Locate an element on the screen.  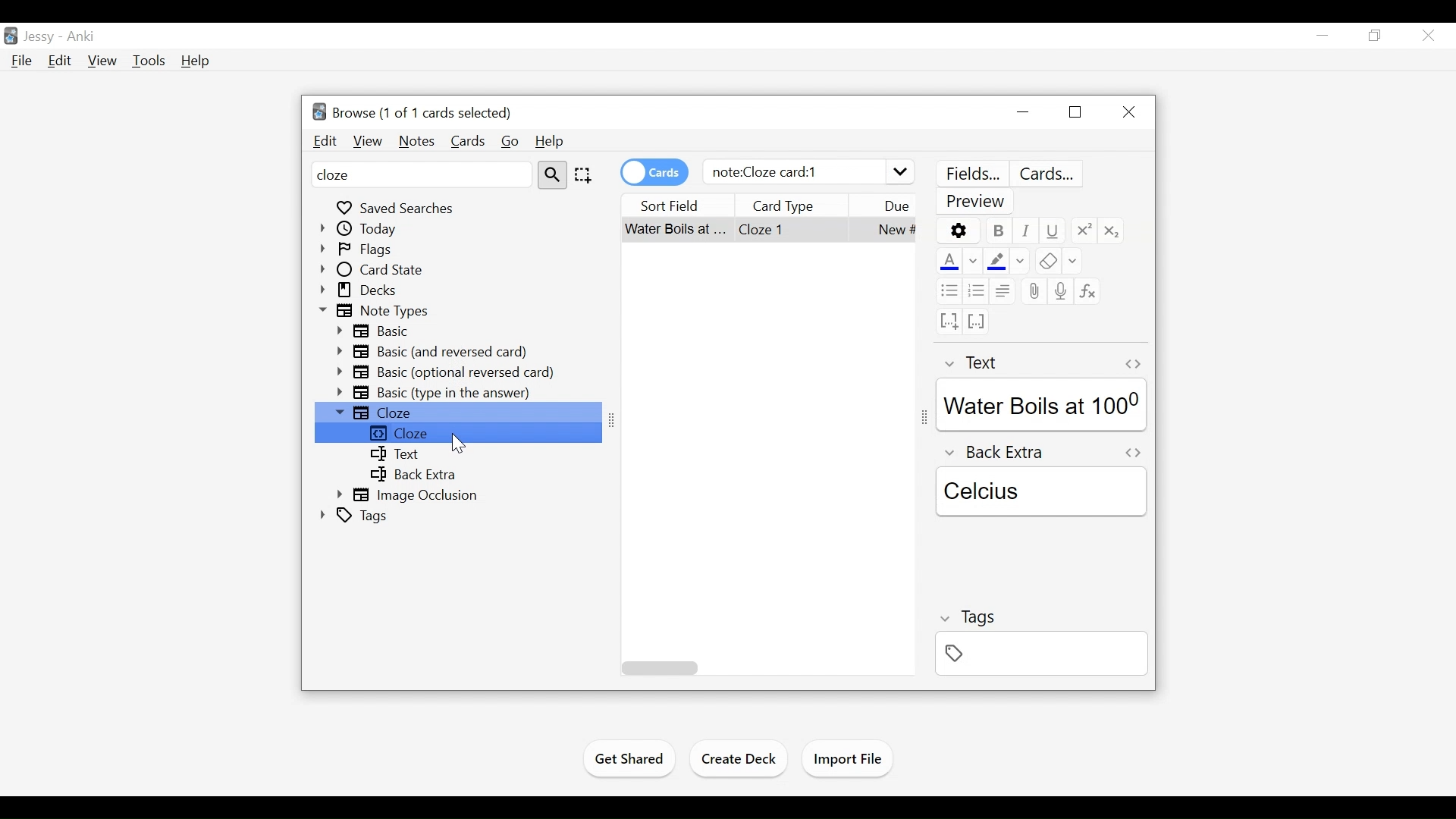
Superscript is located at coordinates (1081, 231).